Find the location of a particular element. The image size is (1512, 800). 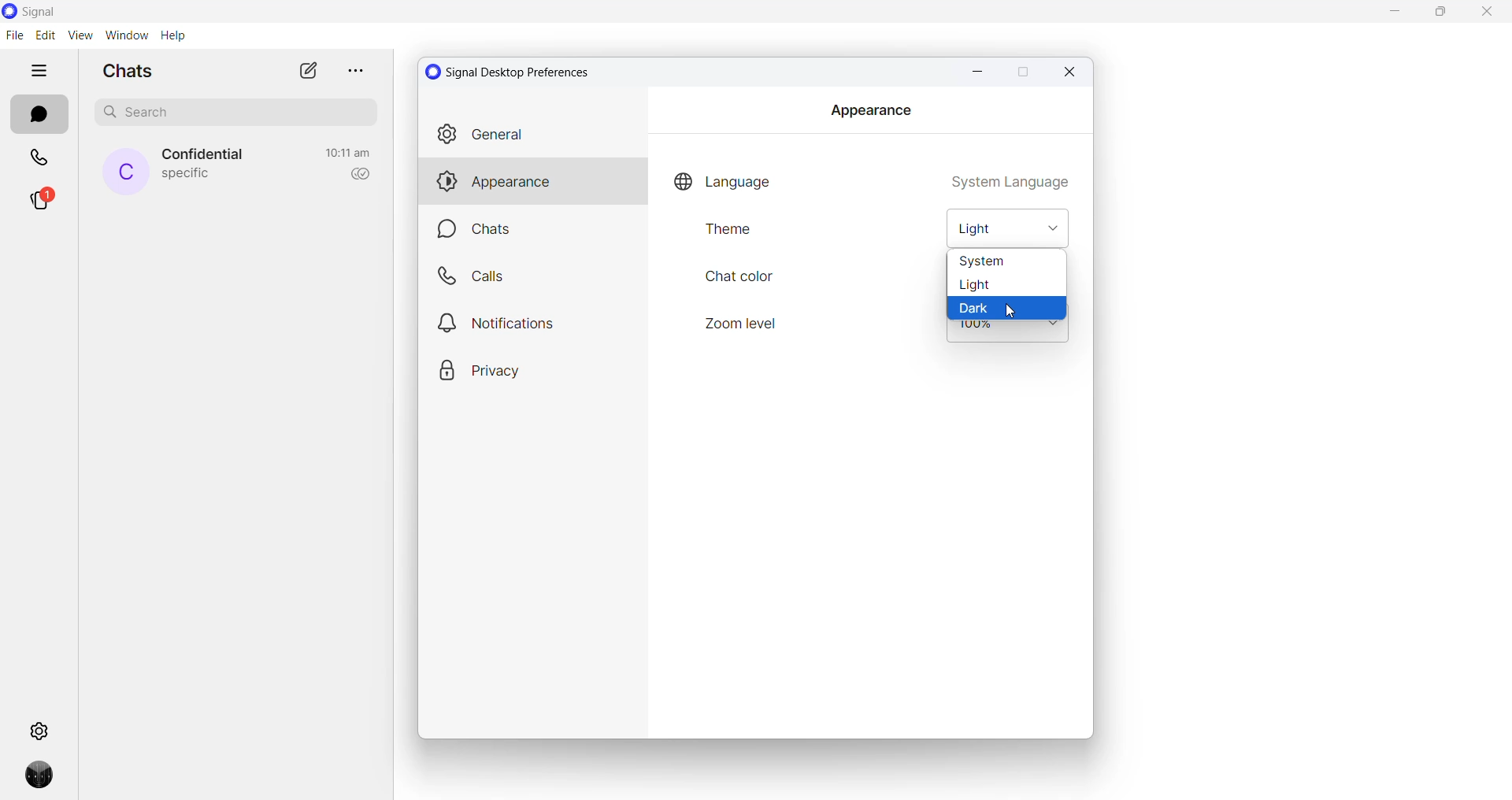

settings is located at coordinates (42, 729).